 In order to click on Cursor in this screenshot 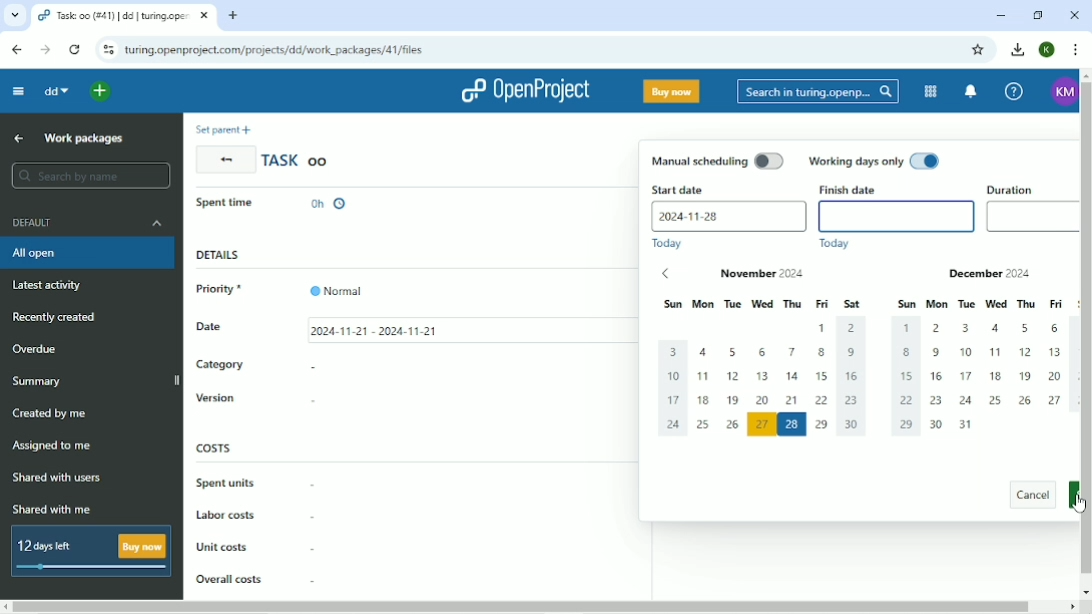, I will do `click(1077, 505)`.